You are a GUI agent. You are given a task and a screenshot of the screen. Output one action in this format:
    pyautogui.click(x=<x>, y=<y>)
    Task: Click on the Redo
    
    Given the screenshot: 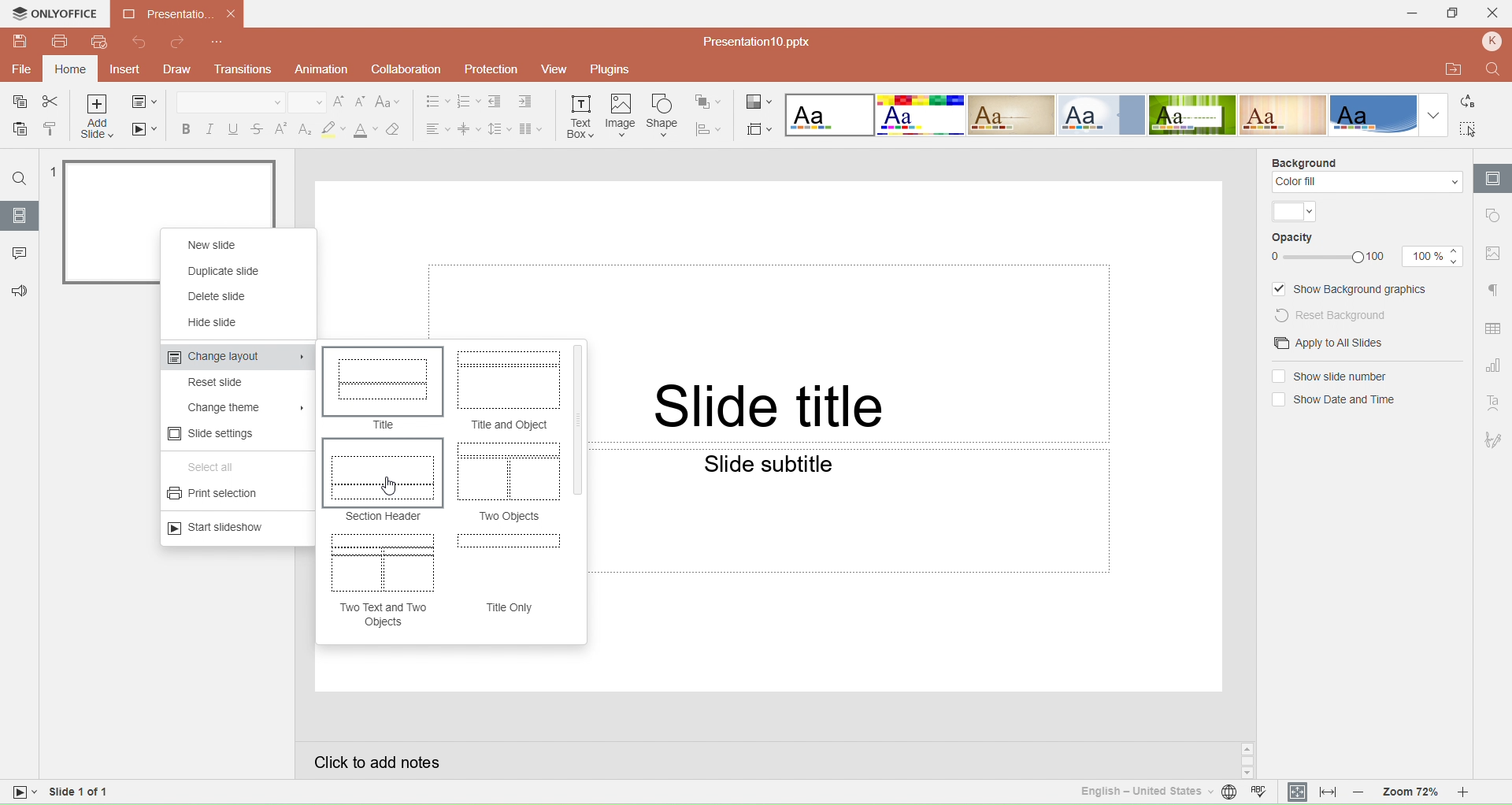 What is the action you would take?
    pyautogui.click(x=178, y=43)
    